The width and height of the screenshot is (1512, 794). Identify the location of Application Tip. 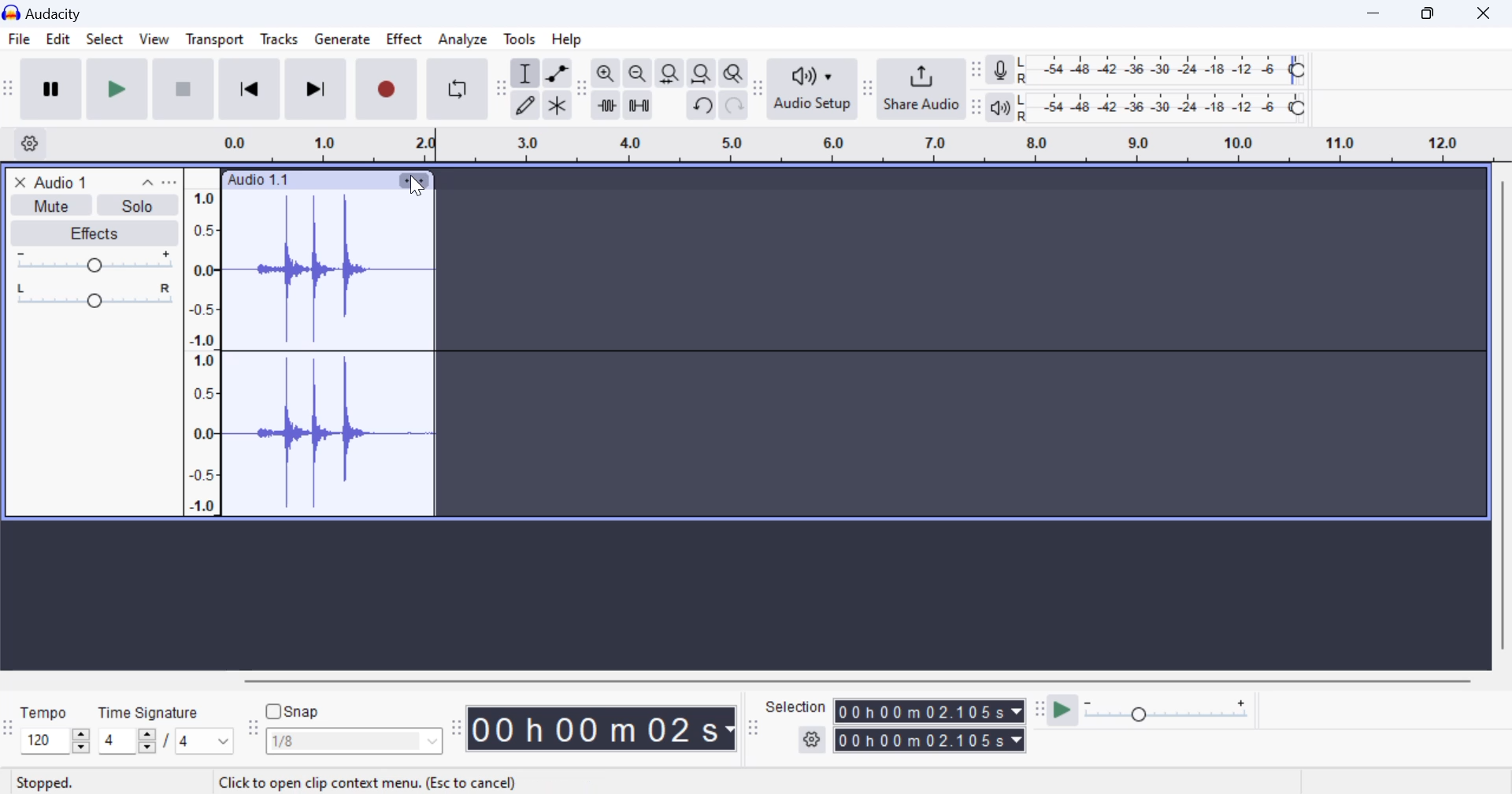
(369, 781).